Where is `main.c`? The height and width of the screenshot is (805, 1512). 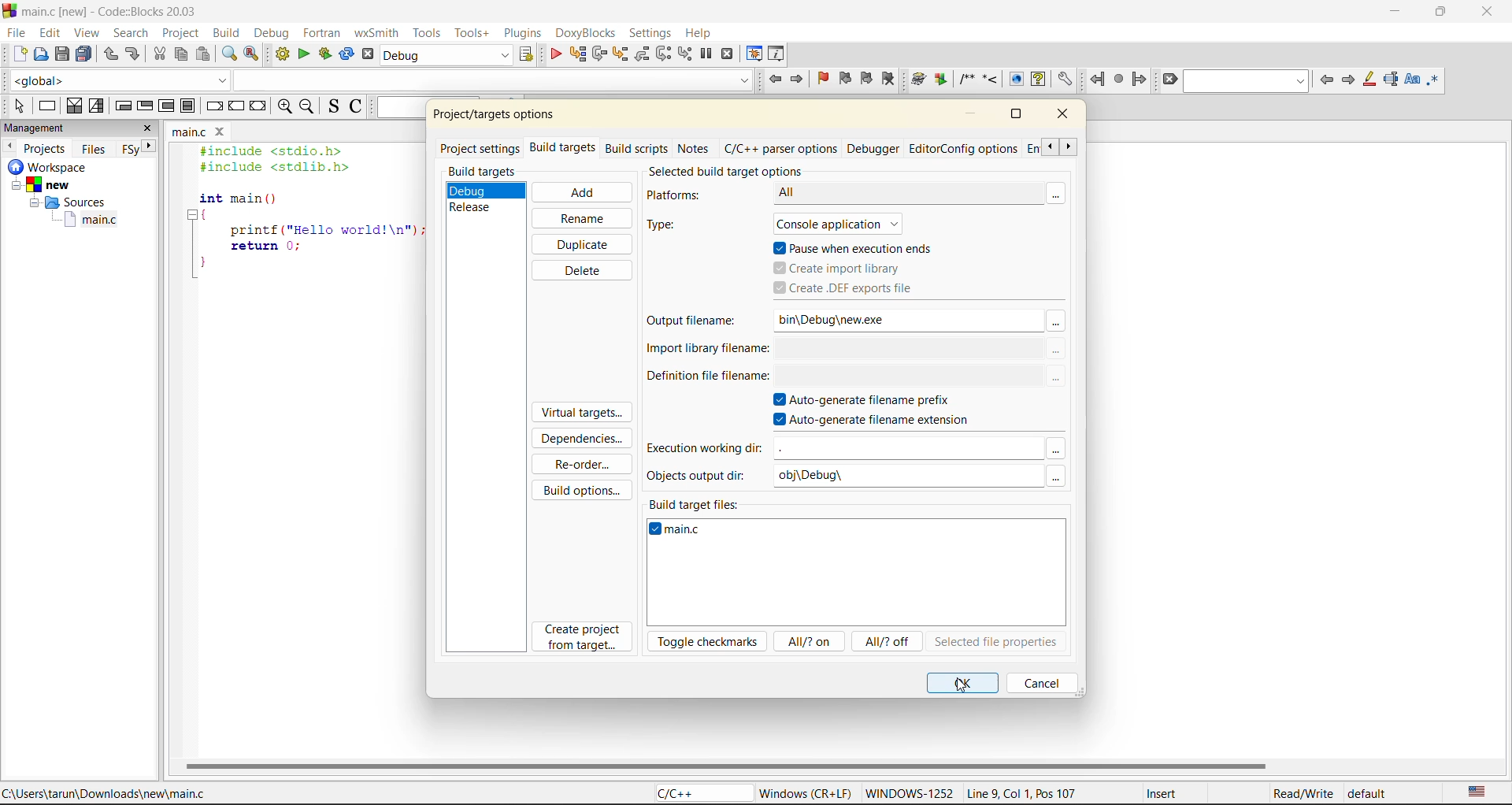 main.c is located at coordinates (94, 222).